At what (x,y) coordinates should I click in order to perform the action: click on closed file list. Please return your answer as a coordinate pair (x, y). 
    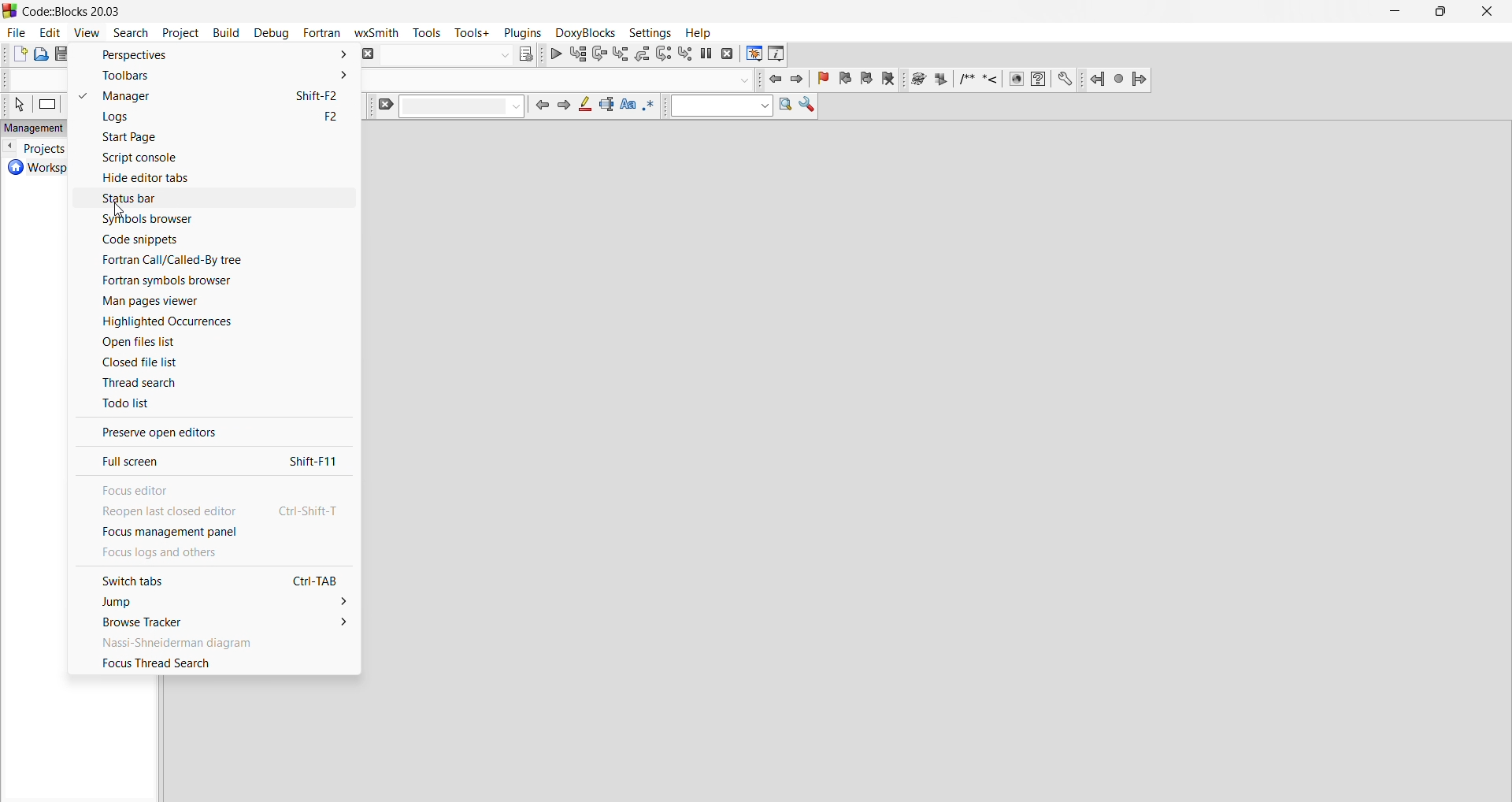
    Looking at the image, I should click on (216, 362).